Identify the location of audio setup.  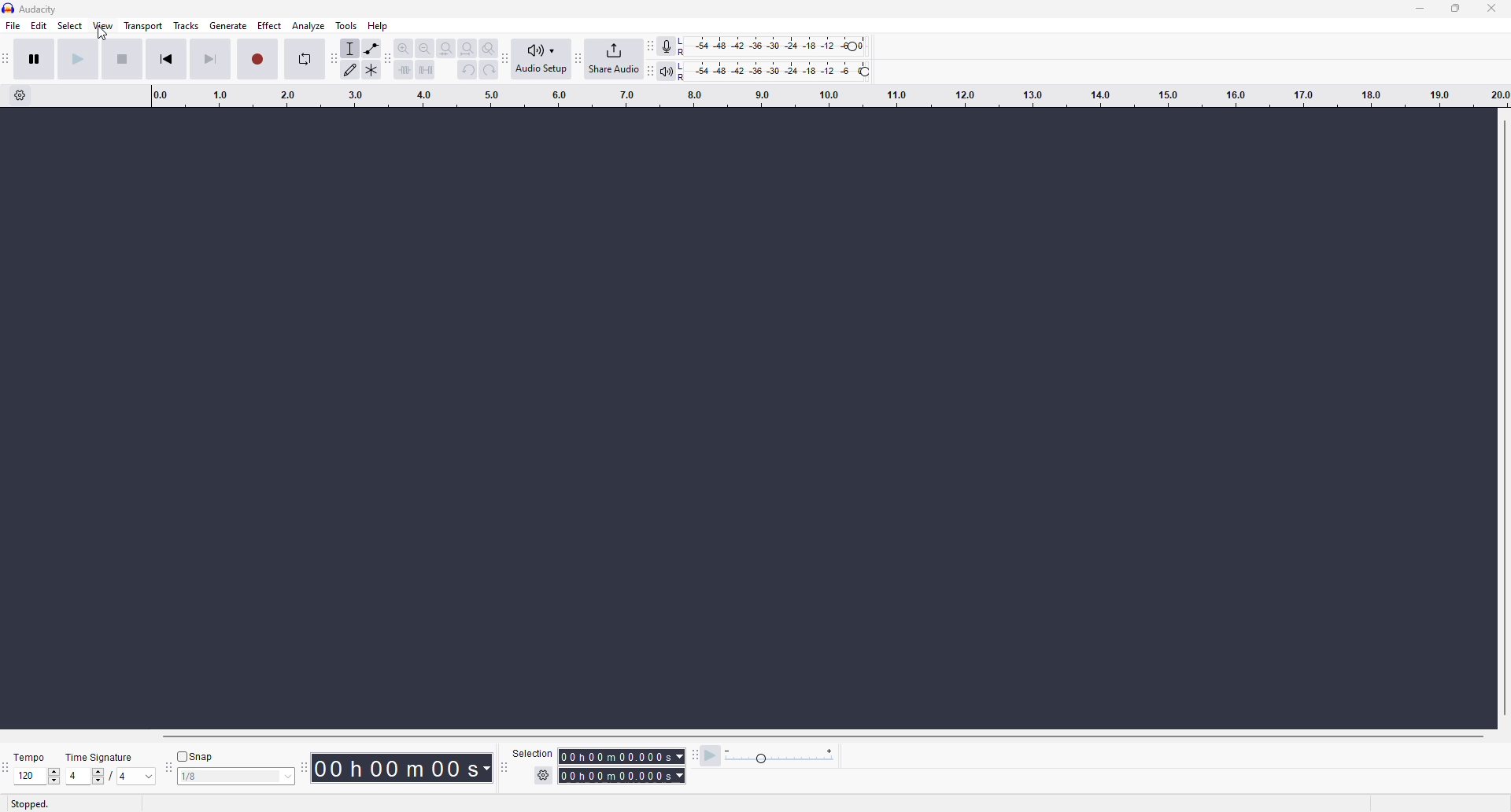
(542, 60).